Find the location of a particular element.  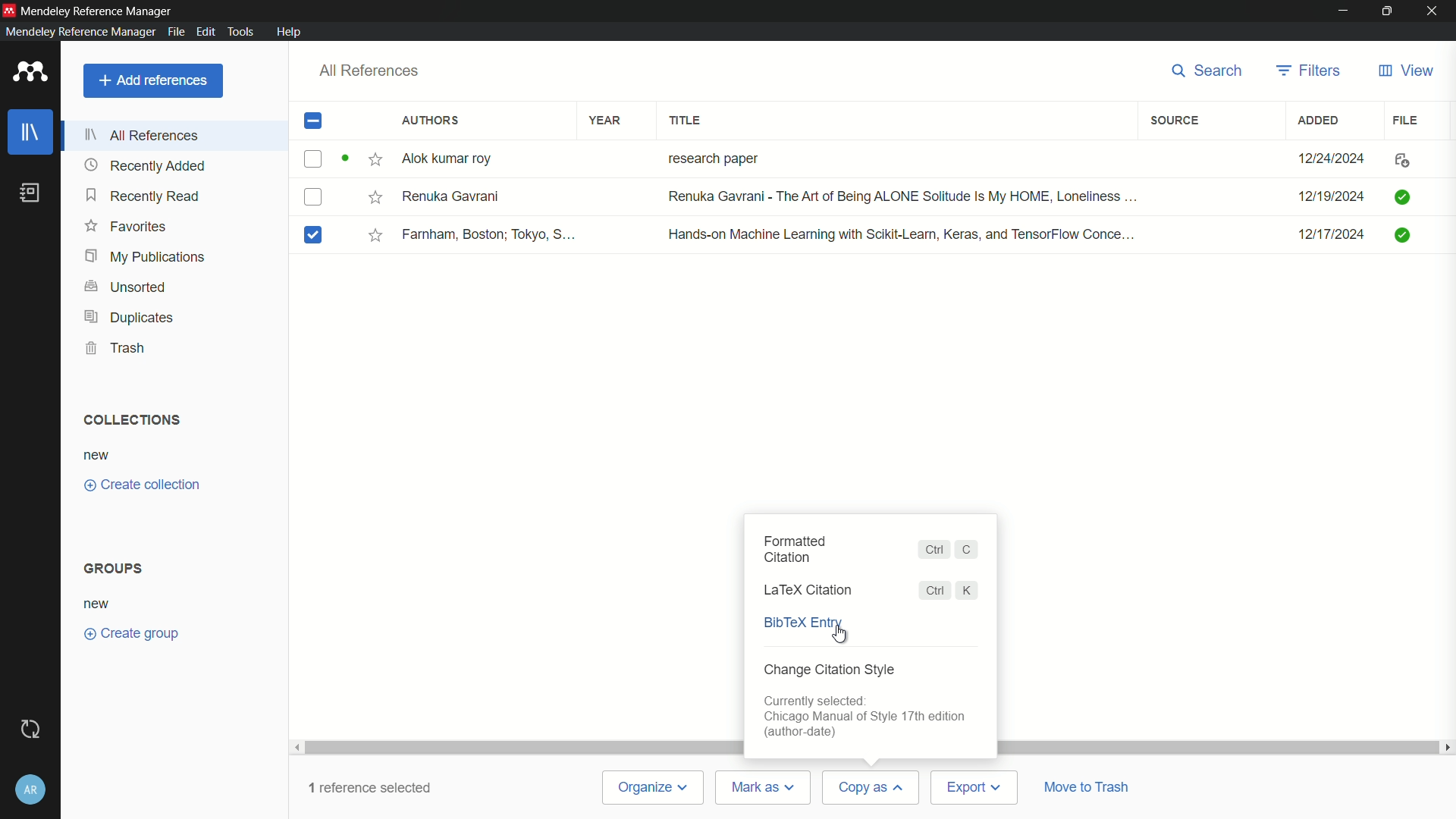

unsorted is located at coordinates (126, 287).